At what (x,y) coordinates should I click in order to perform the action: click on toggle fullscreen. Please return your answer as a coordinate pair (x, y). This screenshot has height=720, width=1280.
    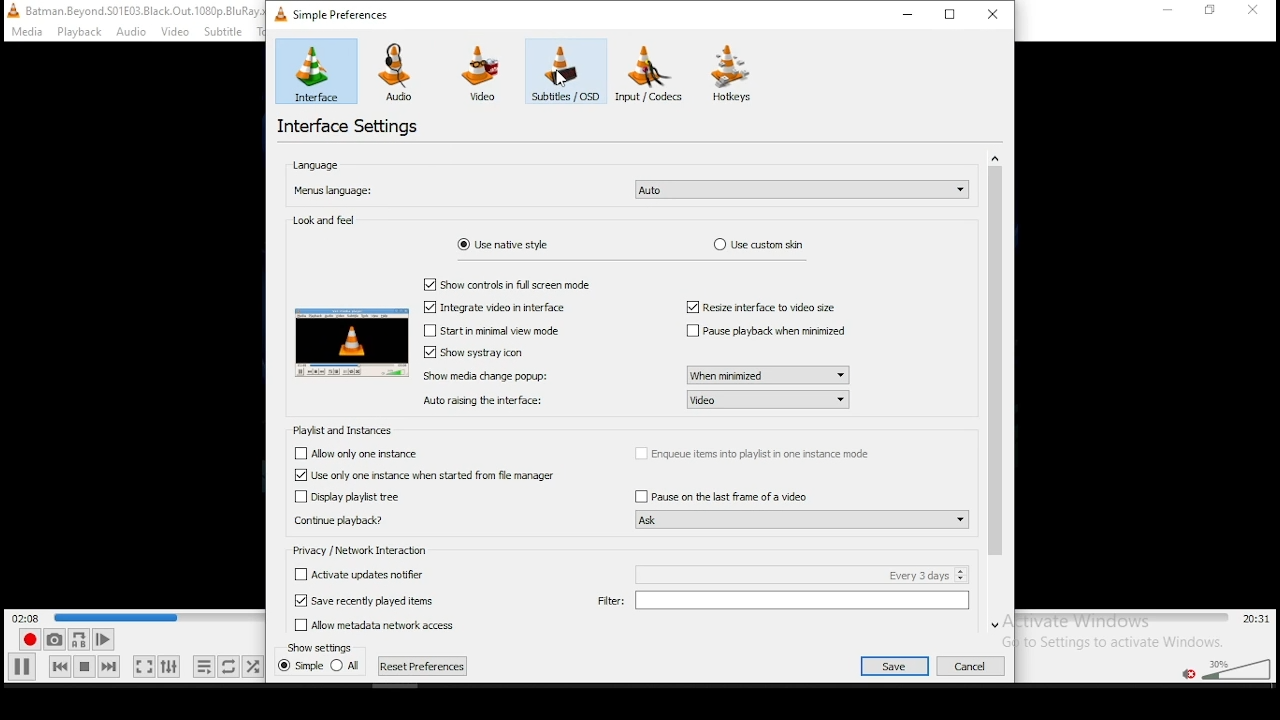
    Looking at the image, I should click on (142, 666).